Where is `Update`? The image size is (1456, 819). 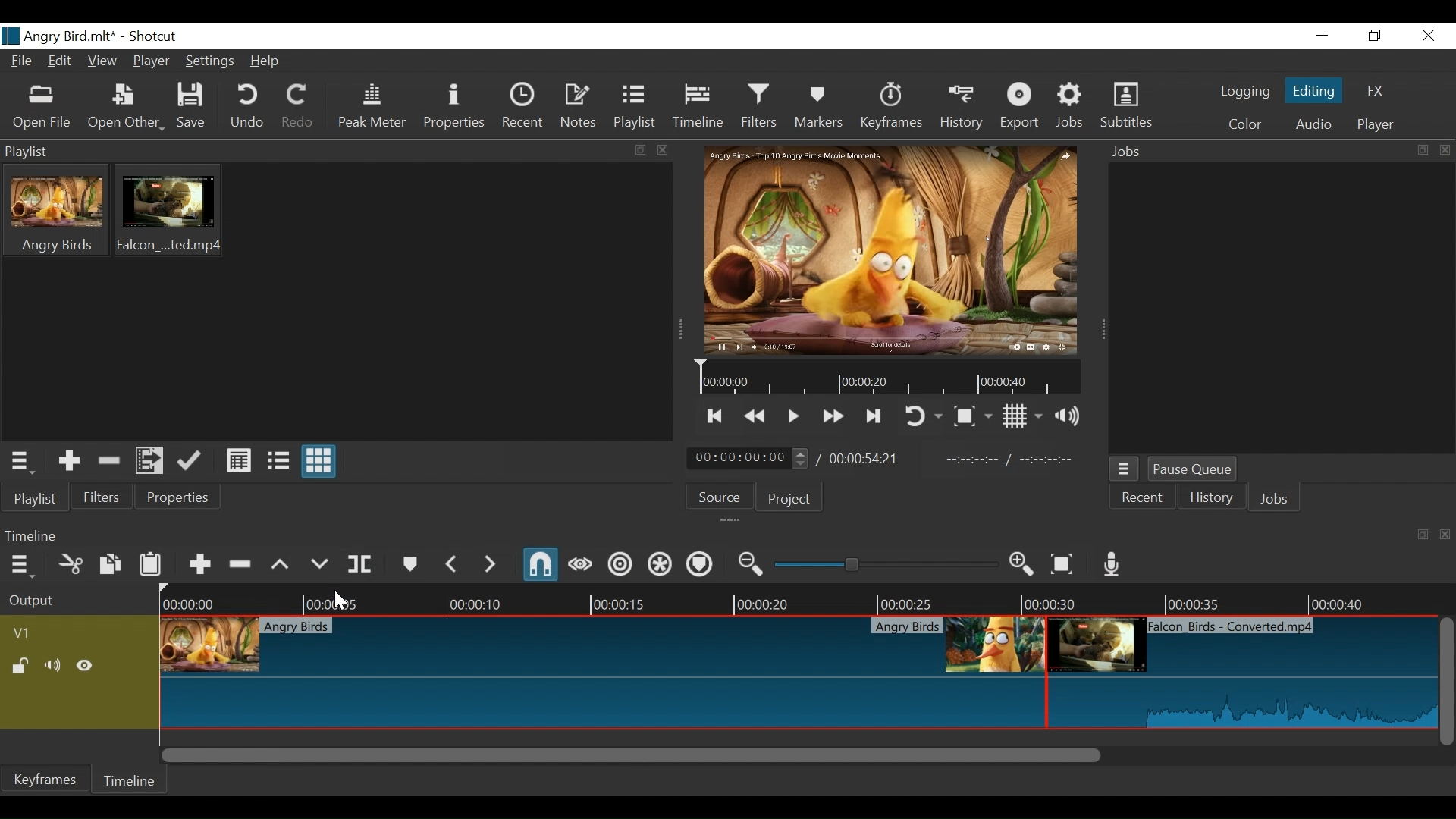
Update is located at coordinates (189, 462).